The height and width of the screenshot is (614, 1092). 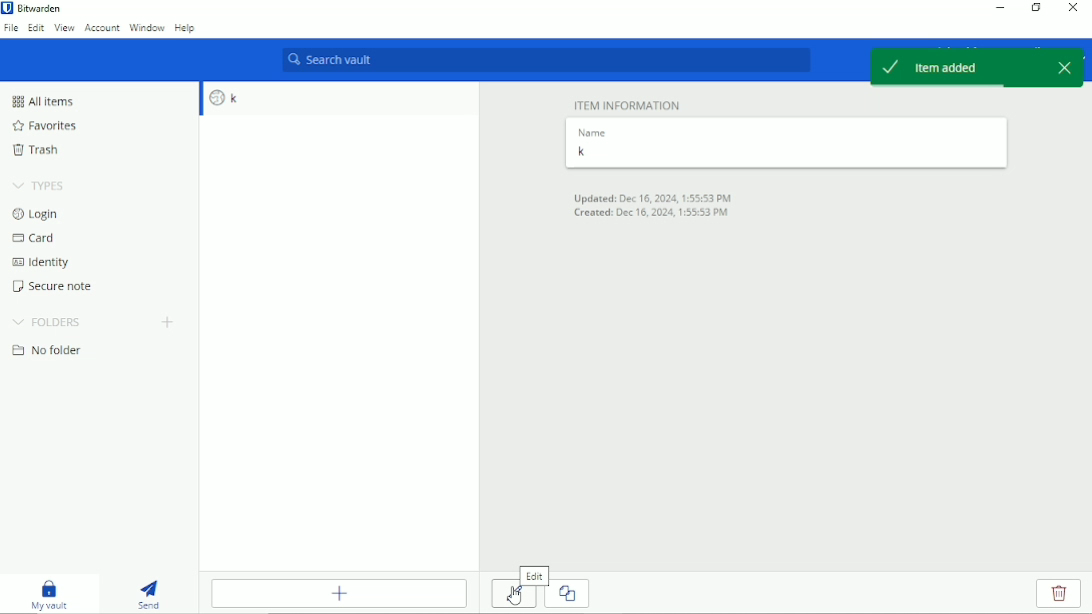 What do you see at coordinates (147, 27) in the screenshot?
I see `Window` at bounding box center [147, 27].